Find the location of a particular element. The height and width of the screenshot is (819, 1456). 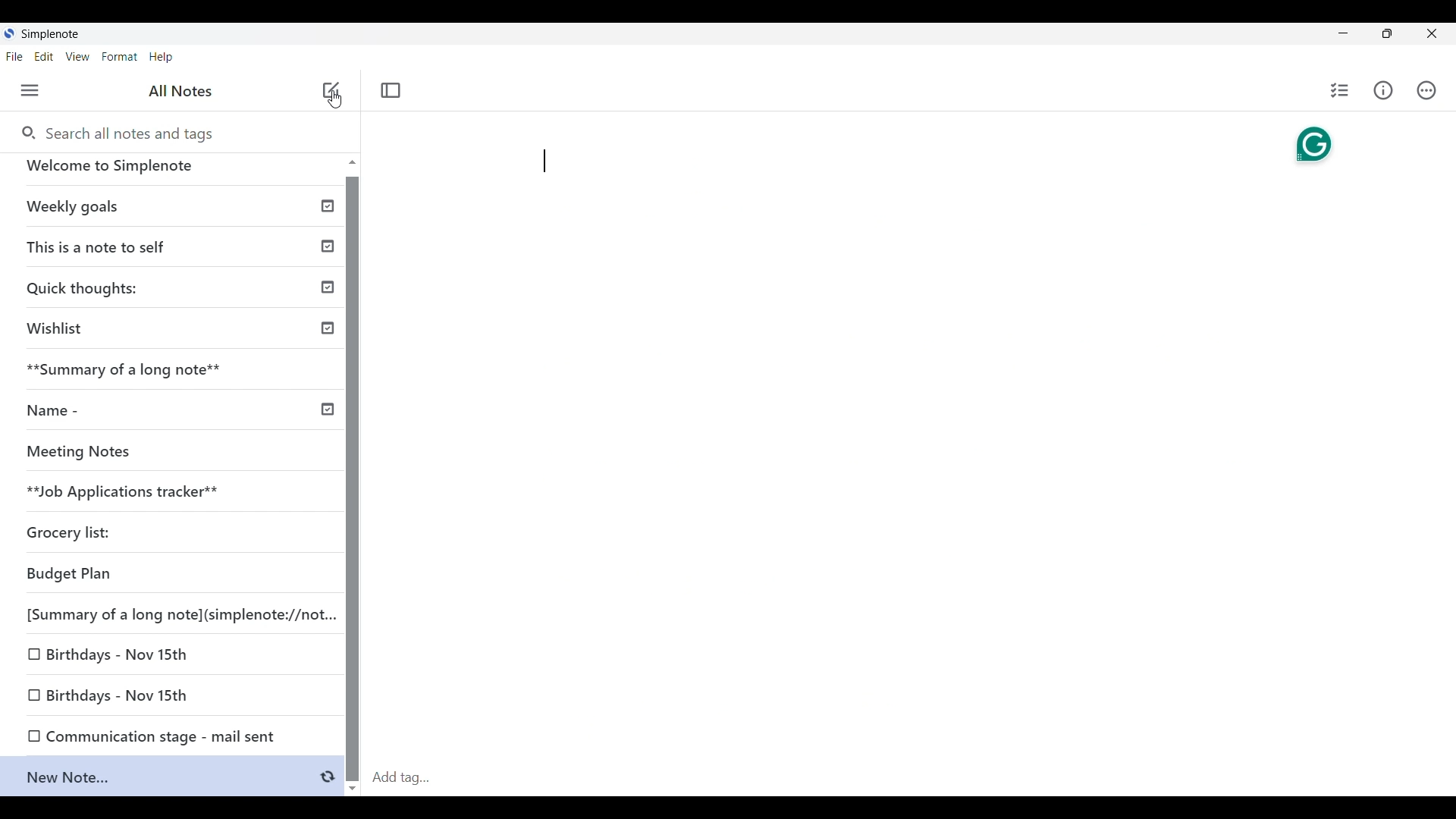

Unpublished note is located at coordinates (70, 538).